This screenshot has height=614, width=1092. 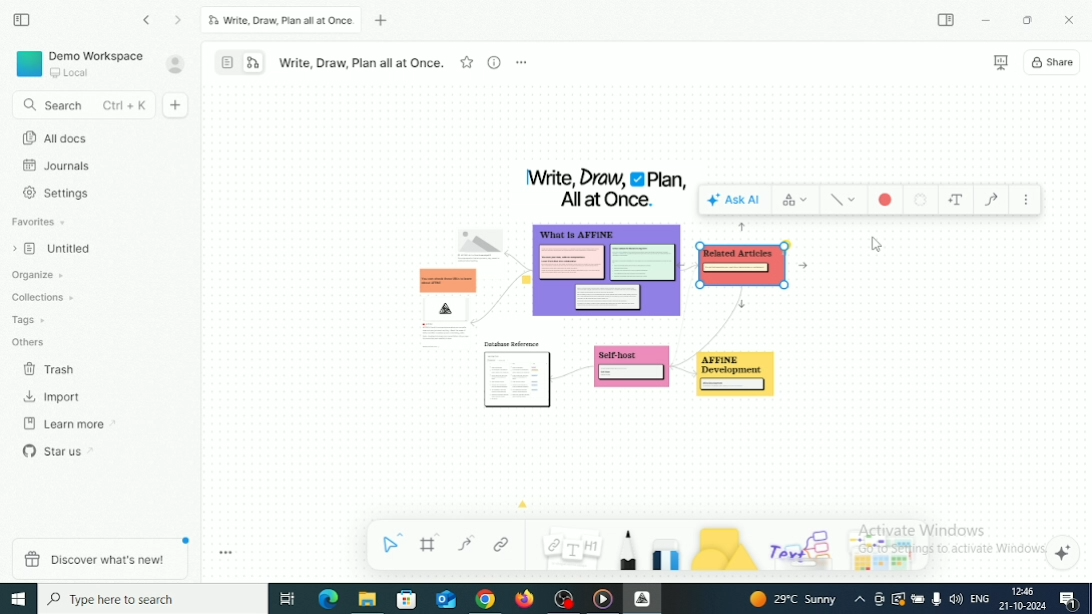 I want to click on Windows, so click(x=19, y=599).